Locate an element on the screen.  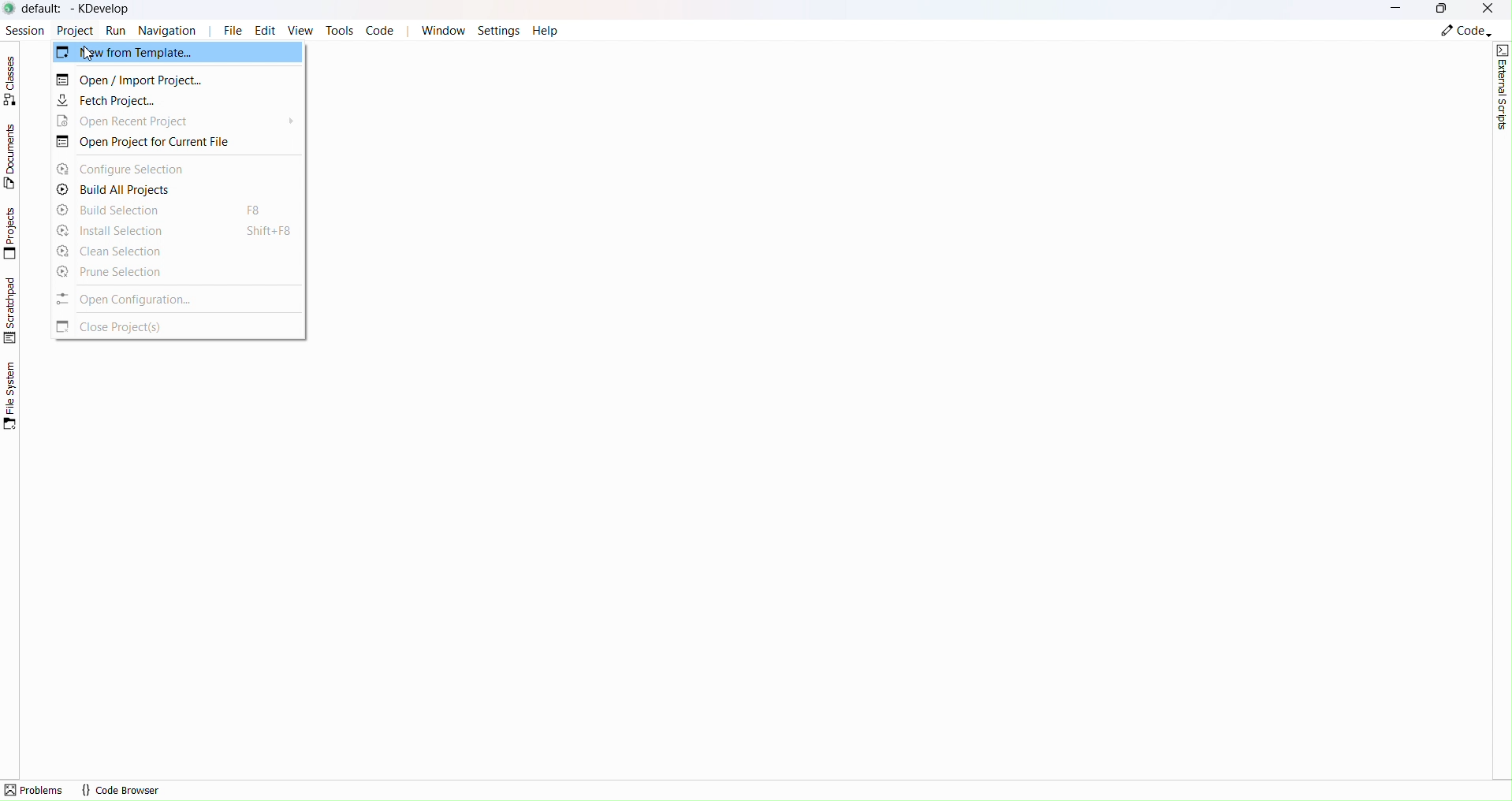
Build Selection is located at coordinates (156, 210).